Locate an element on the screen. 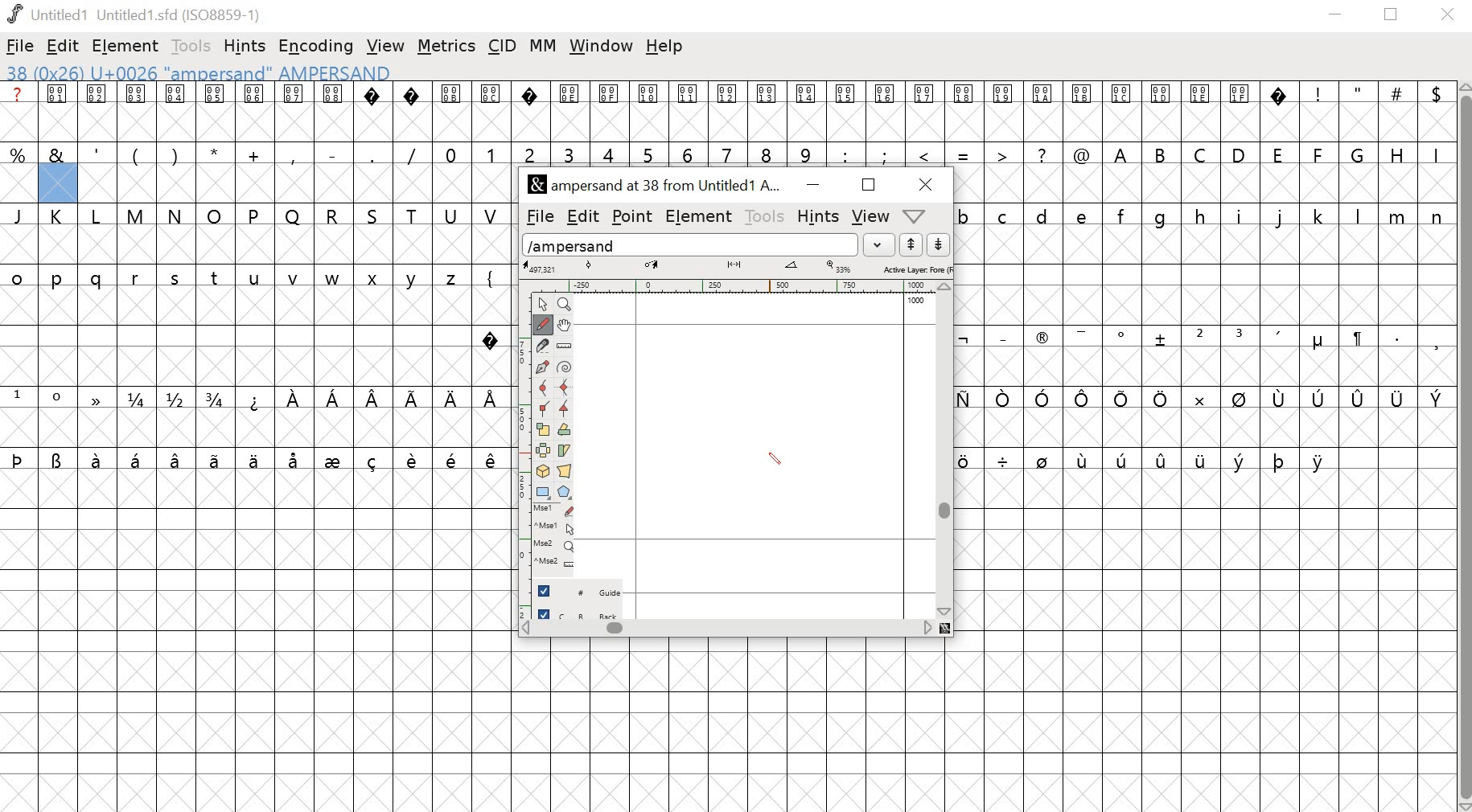 This screenshot has width=1472, height=812. 0010 is located at coordinates (650, 109).